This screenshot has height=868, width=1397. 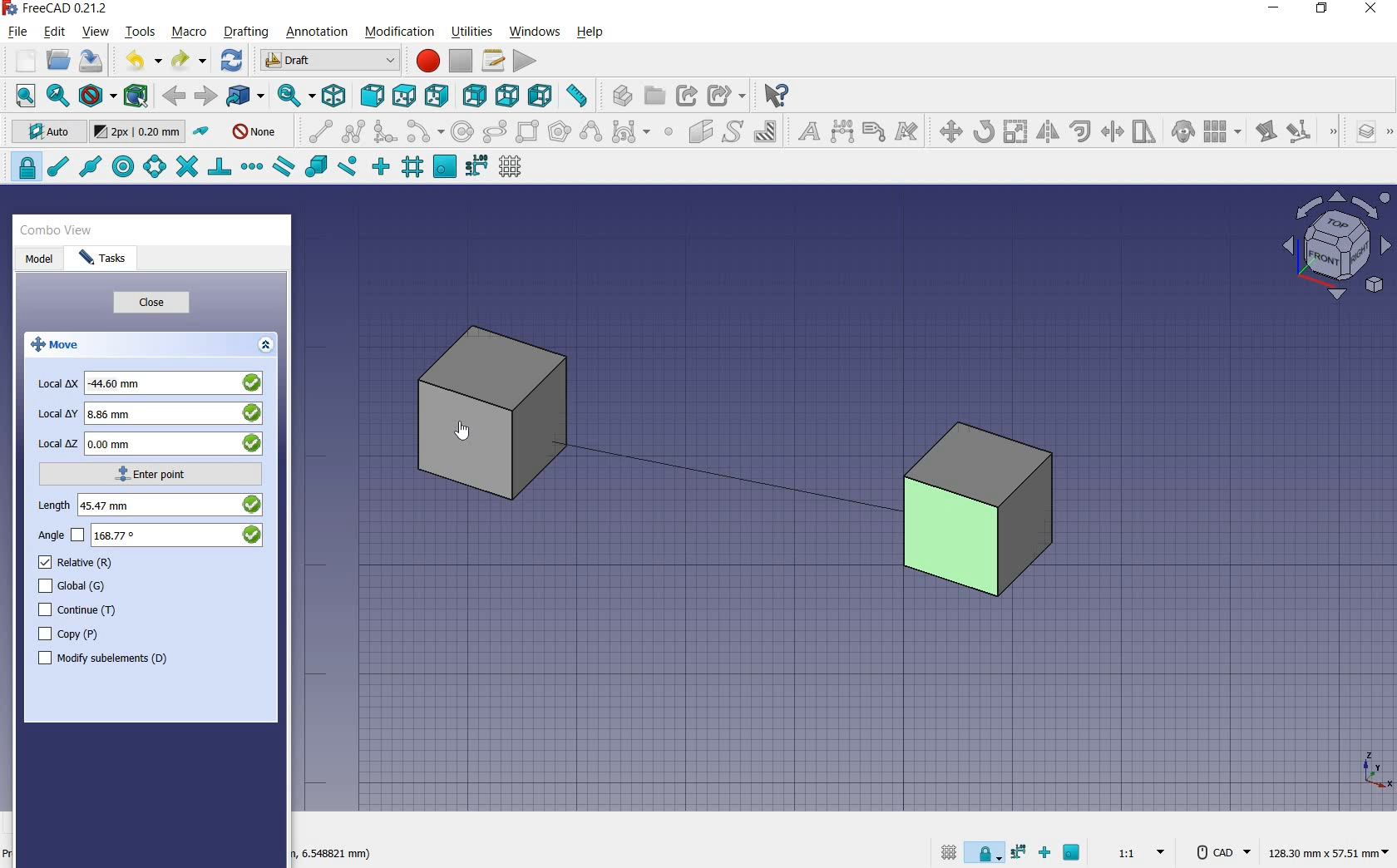 What do you see at coordinates (109, 659) in the screenshot?
I see `modify subelements` at bounding box center [109, 659].